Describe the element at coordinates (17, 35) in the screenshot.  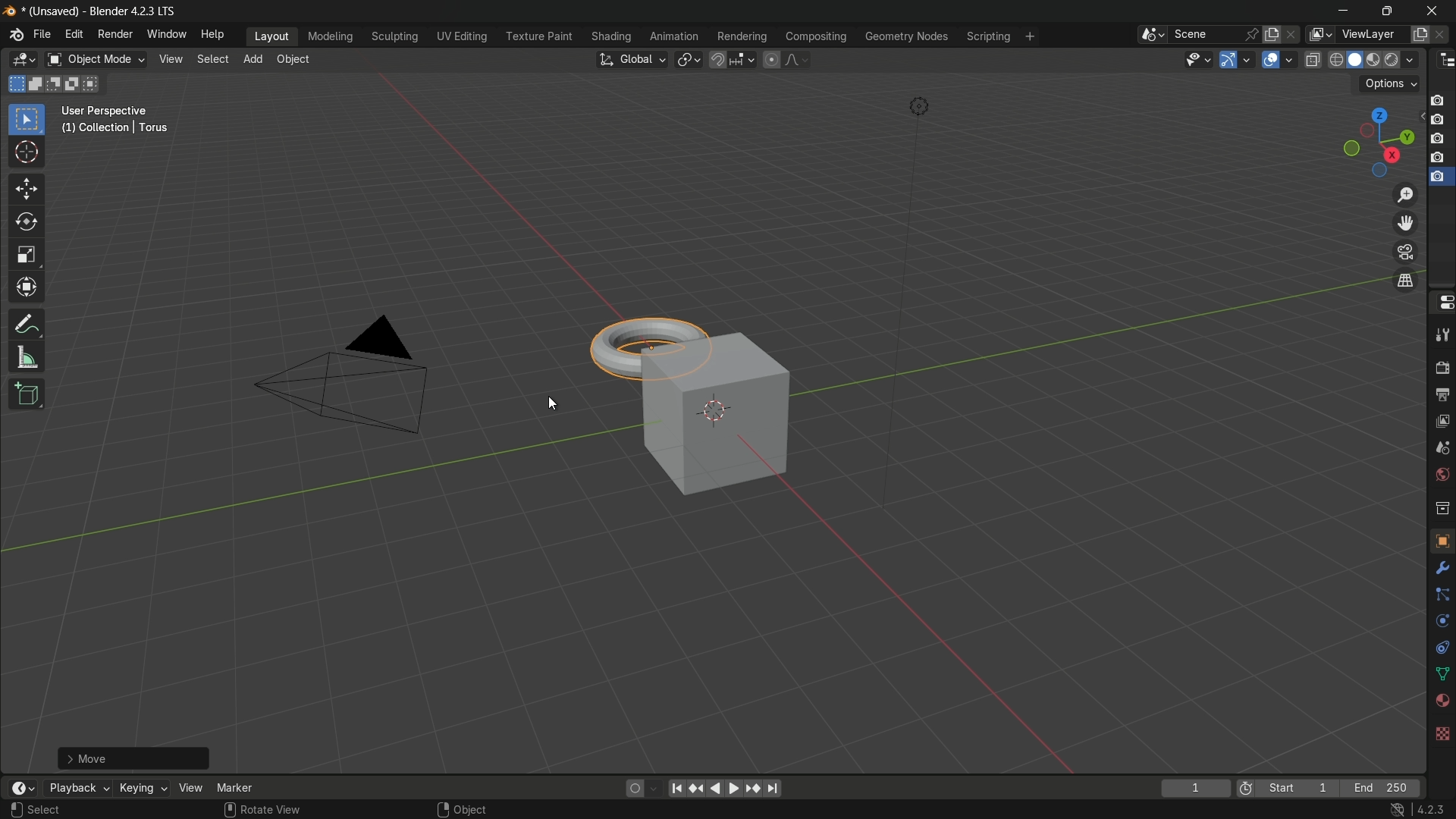
I see `logo` at that location.